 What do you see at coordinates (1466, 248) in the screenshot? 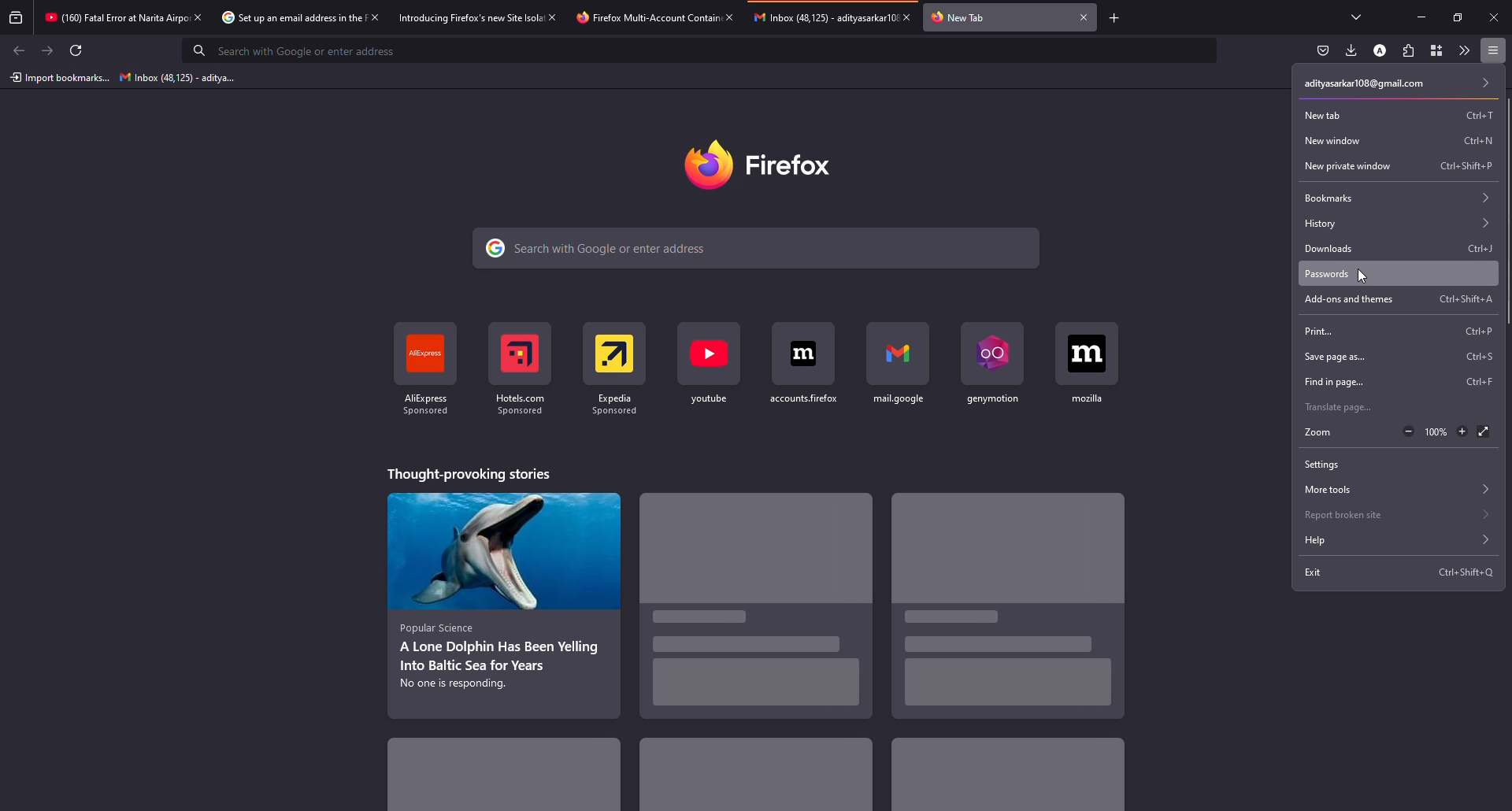
I see `shortcut` at bounding box center [1466, 248].